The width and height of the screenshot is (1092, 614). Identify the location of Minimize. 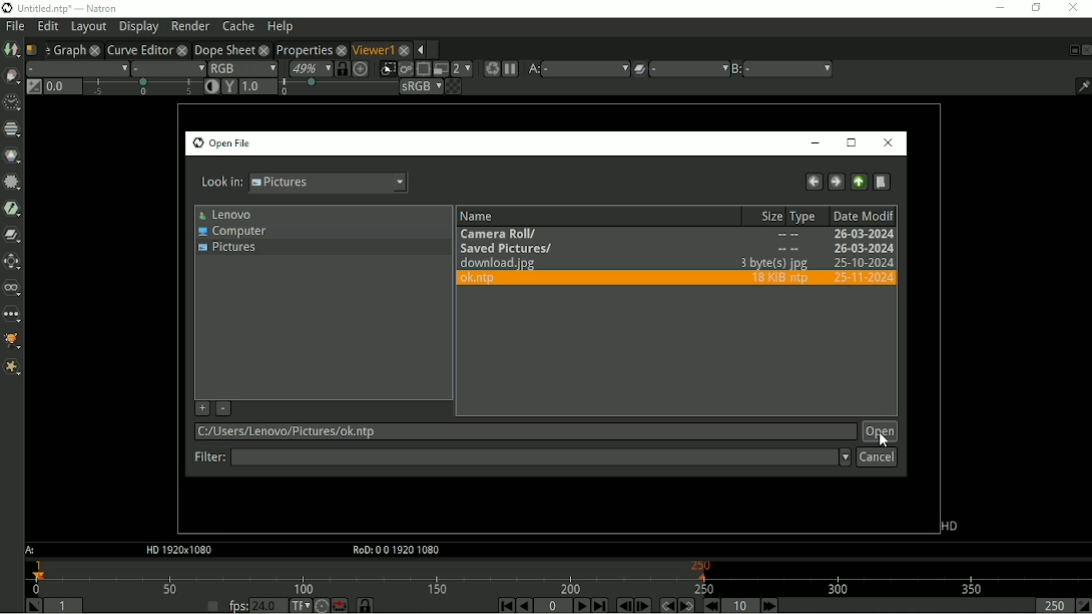
(998, 7).